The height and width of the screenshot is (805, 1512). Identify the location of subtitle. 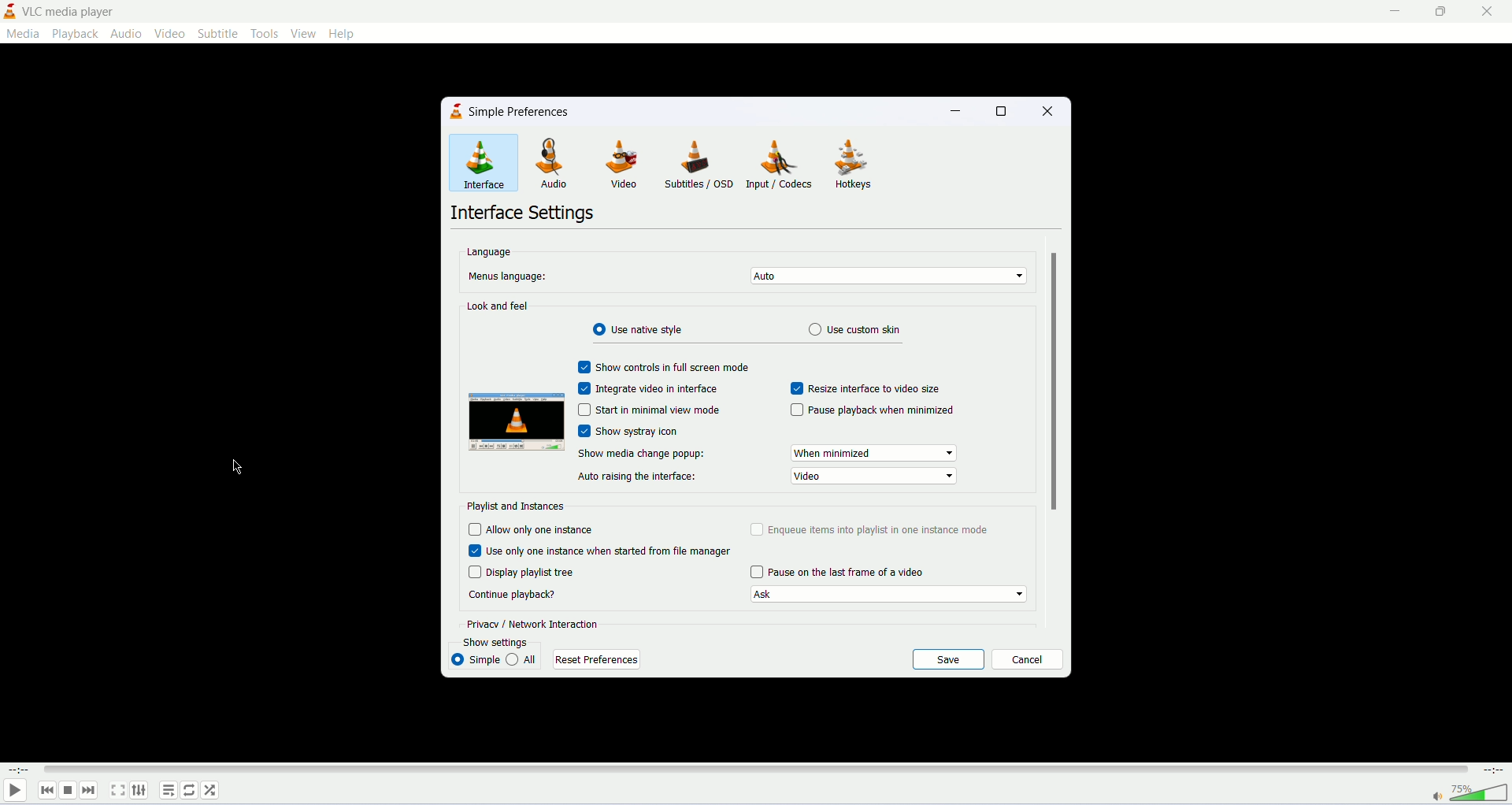
(217, 33).